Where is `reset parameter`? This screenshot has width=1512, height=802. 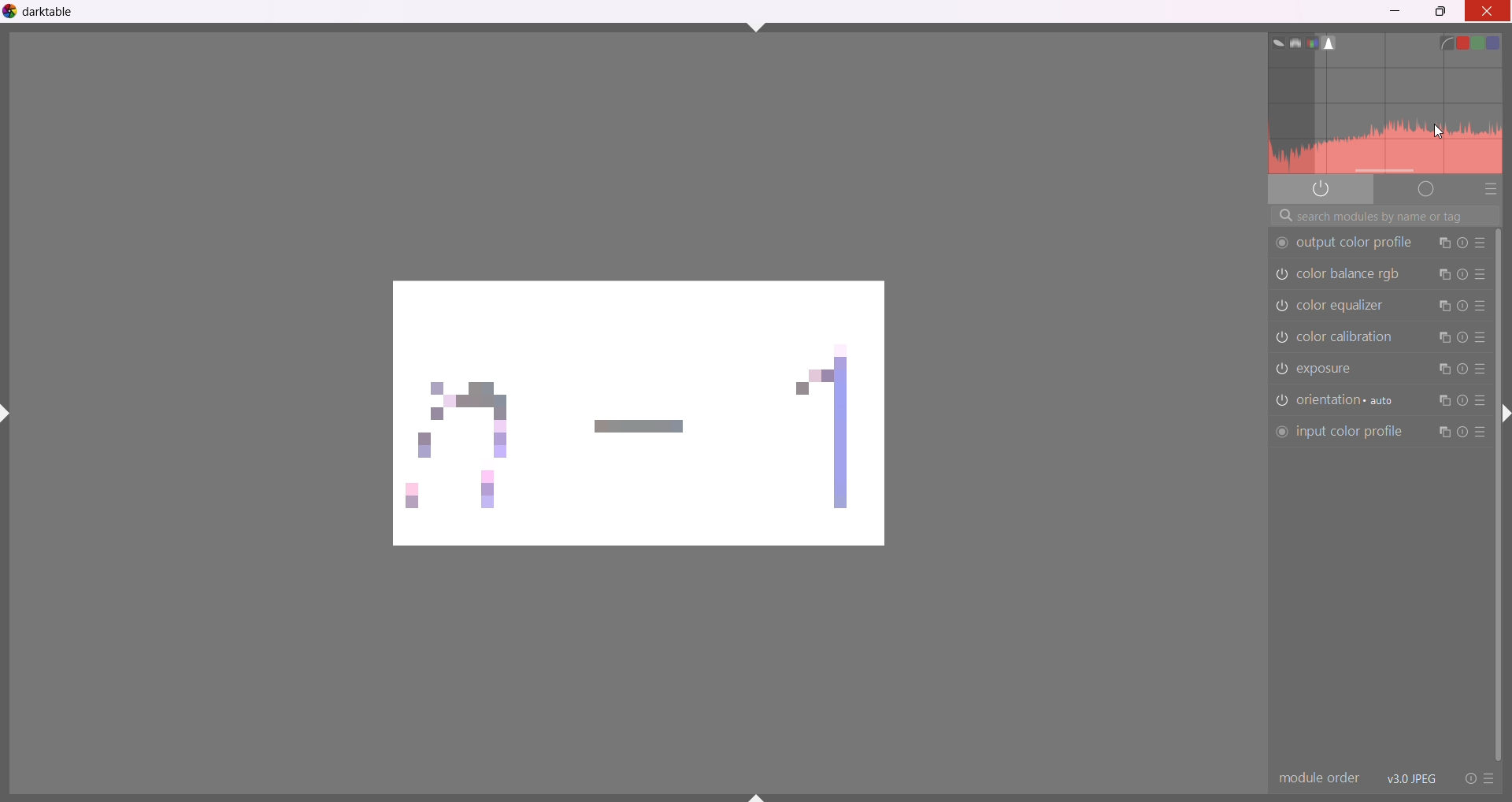 reset parameter is located at coordinates (1462, 433).